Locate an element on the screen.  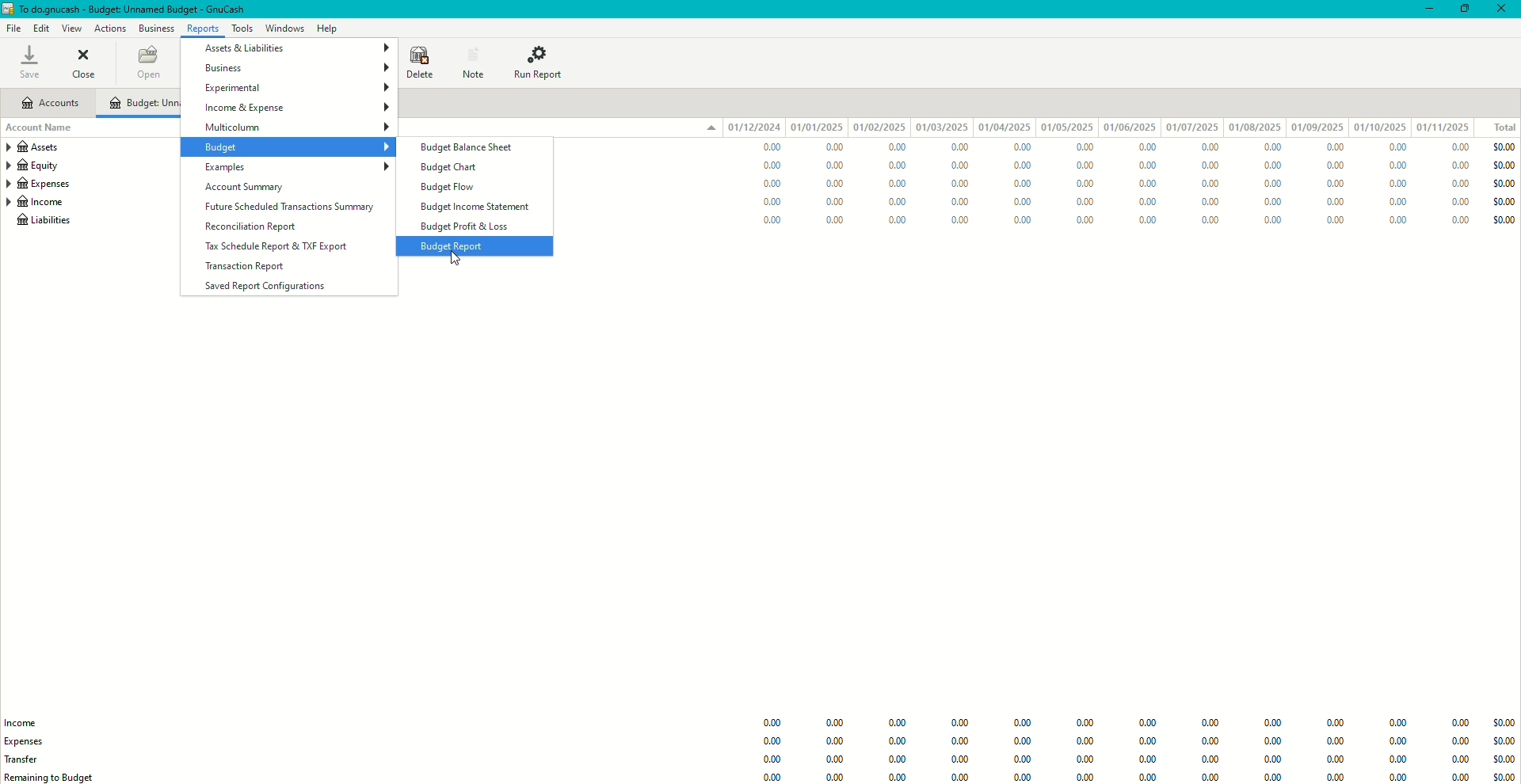
Budget Profit and Loss is located at coordinates (469, 226).